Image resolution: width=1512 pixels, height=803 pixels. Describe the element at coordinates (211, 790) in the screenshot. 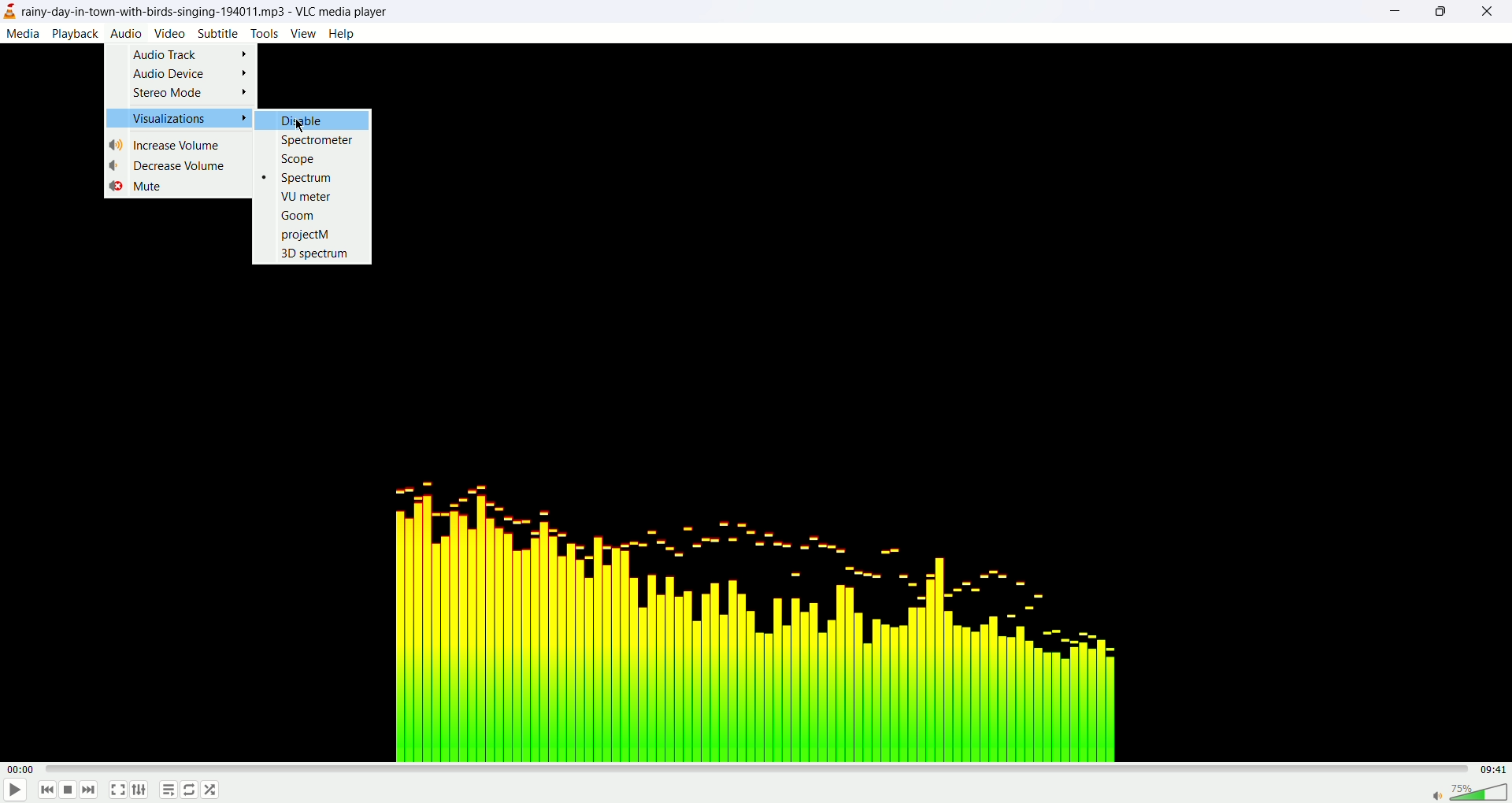

I see `shuffle` at that location.